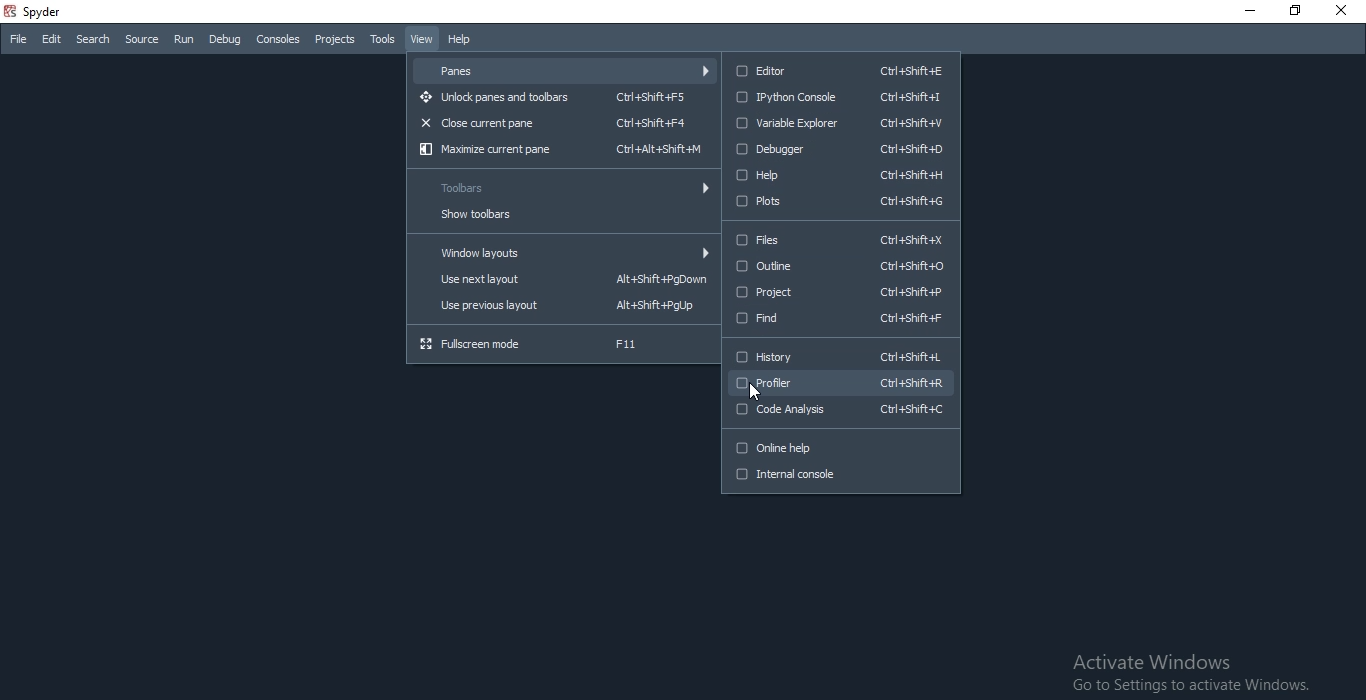  I want to click on Use next layout, so click(559, 279).